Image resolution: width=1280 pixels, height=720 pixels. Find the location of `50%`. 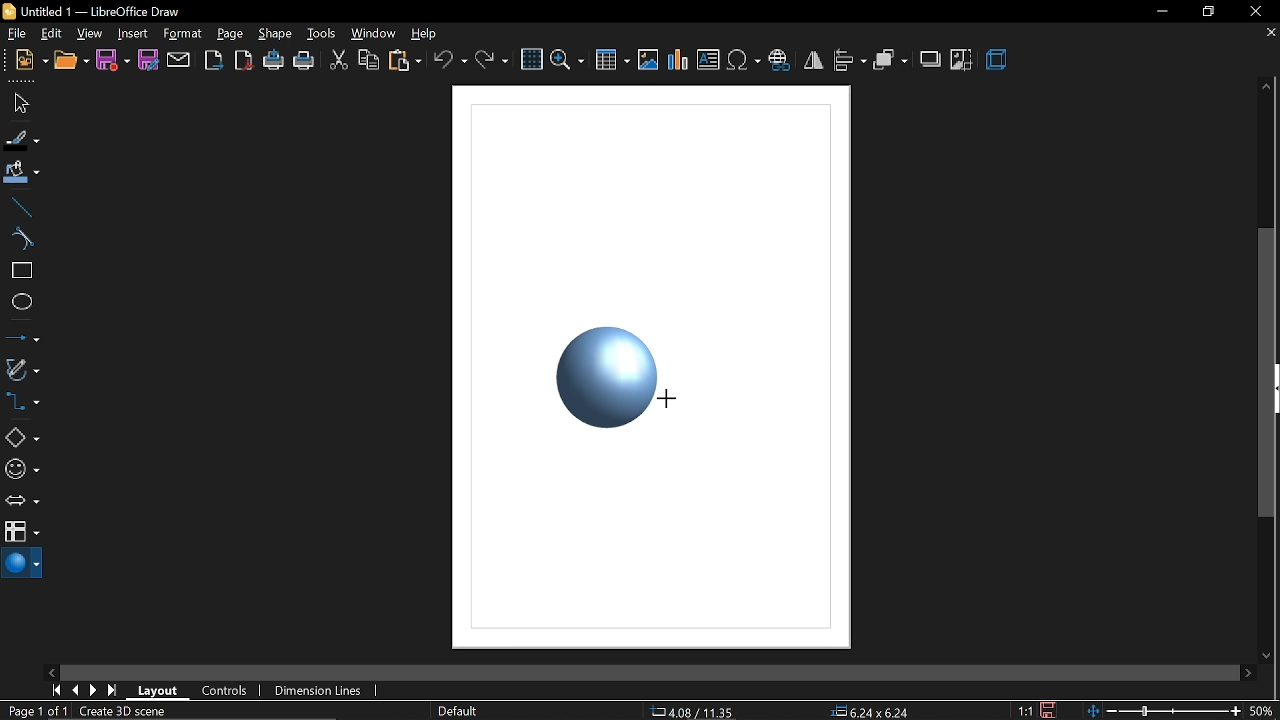

50% is located at coordinates (1264, 710).